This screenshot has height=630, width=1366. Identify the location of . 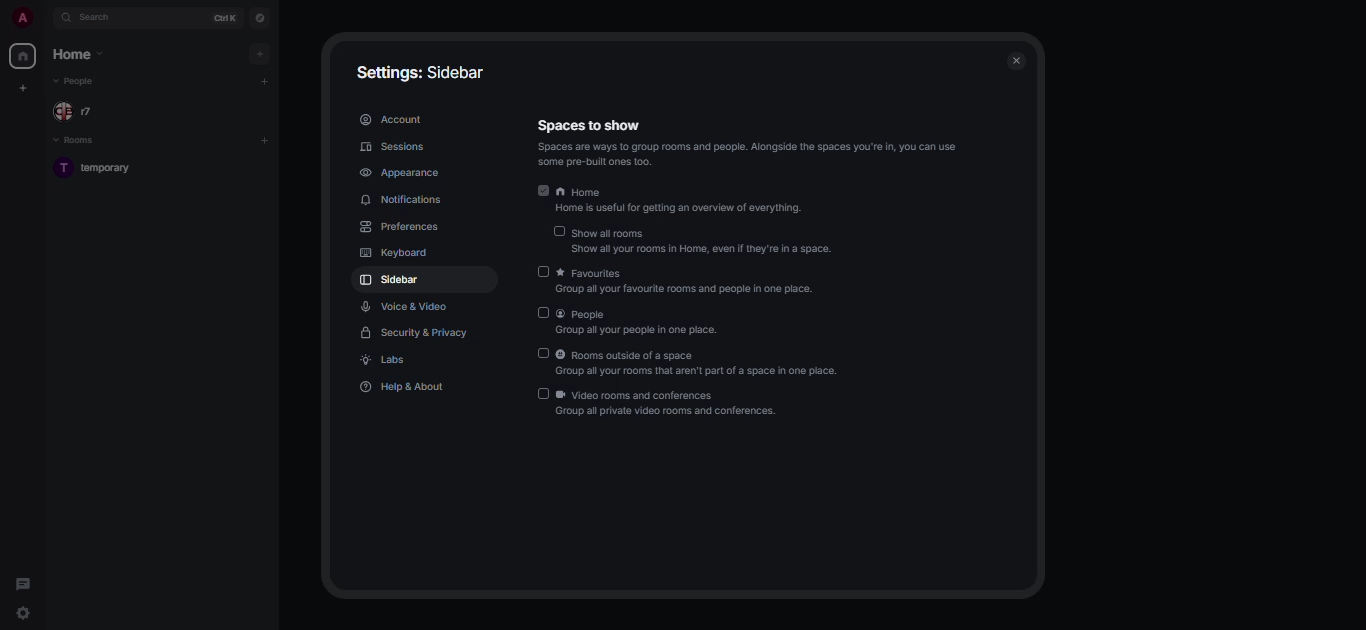
(589, 126).